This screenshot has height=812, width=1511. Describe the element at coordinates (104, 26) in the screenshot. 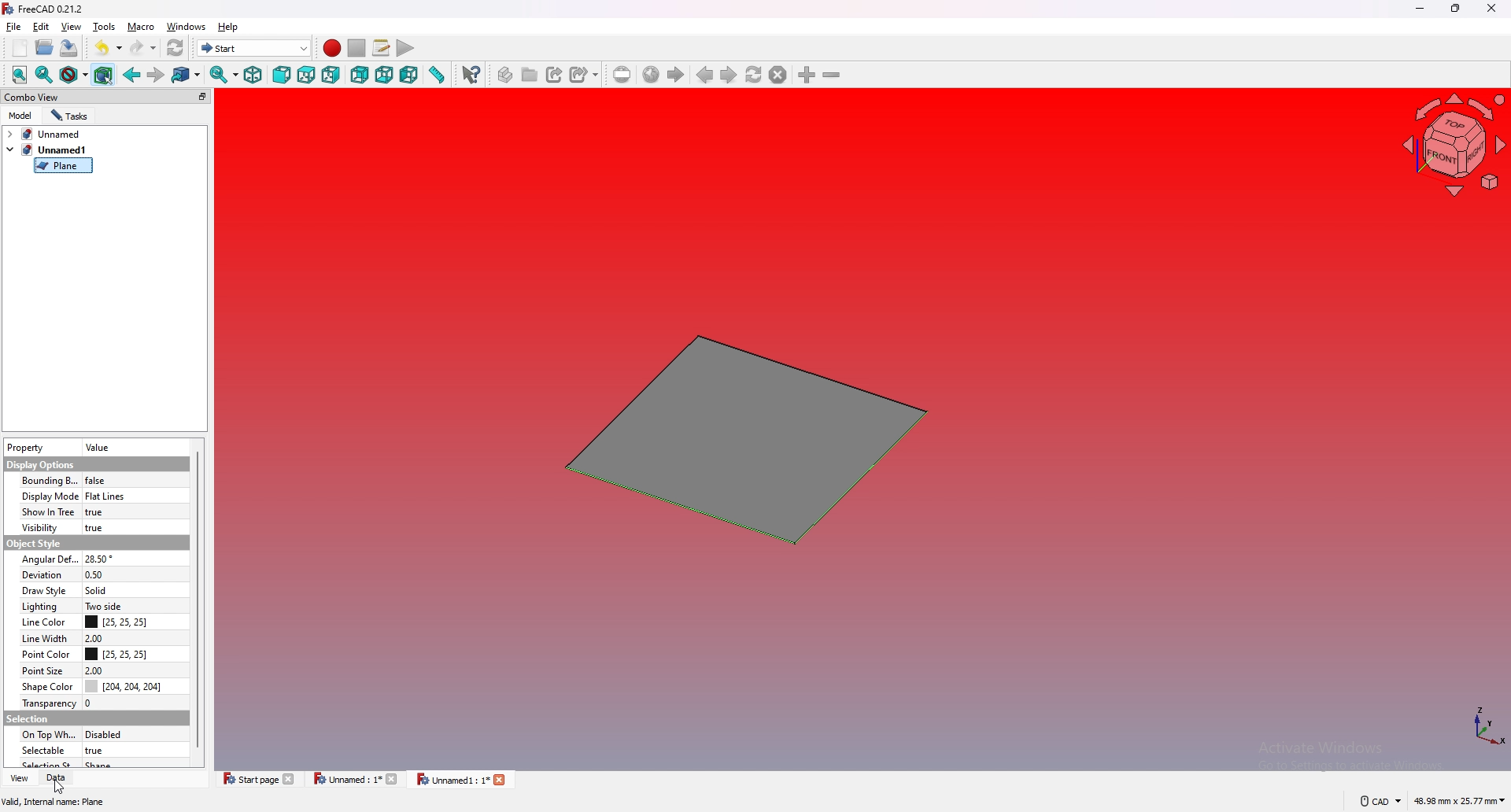

I see `tools` at that location.